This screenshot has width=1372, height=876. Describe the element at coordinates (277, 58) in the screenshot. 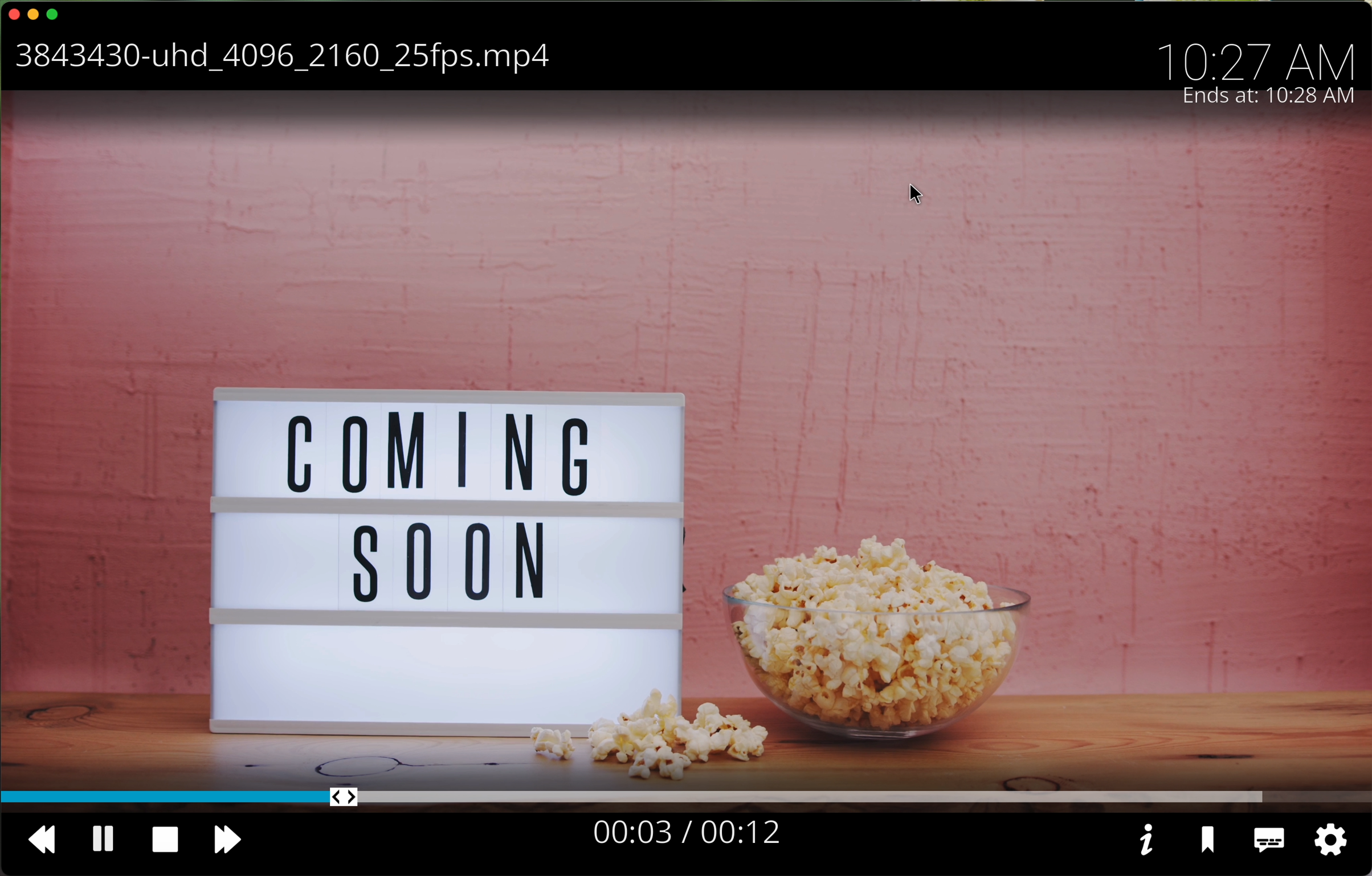

I see `movie name` at that location.